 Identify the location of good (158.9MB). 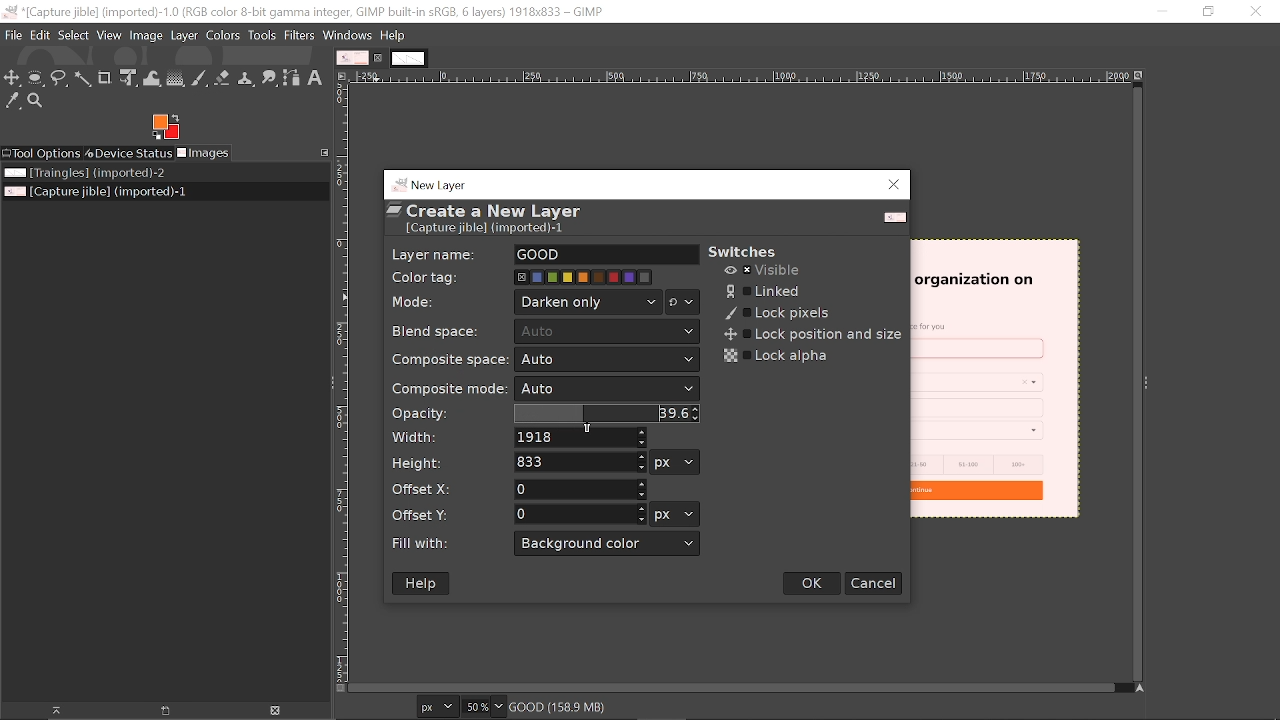
(585, 705).